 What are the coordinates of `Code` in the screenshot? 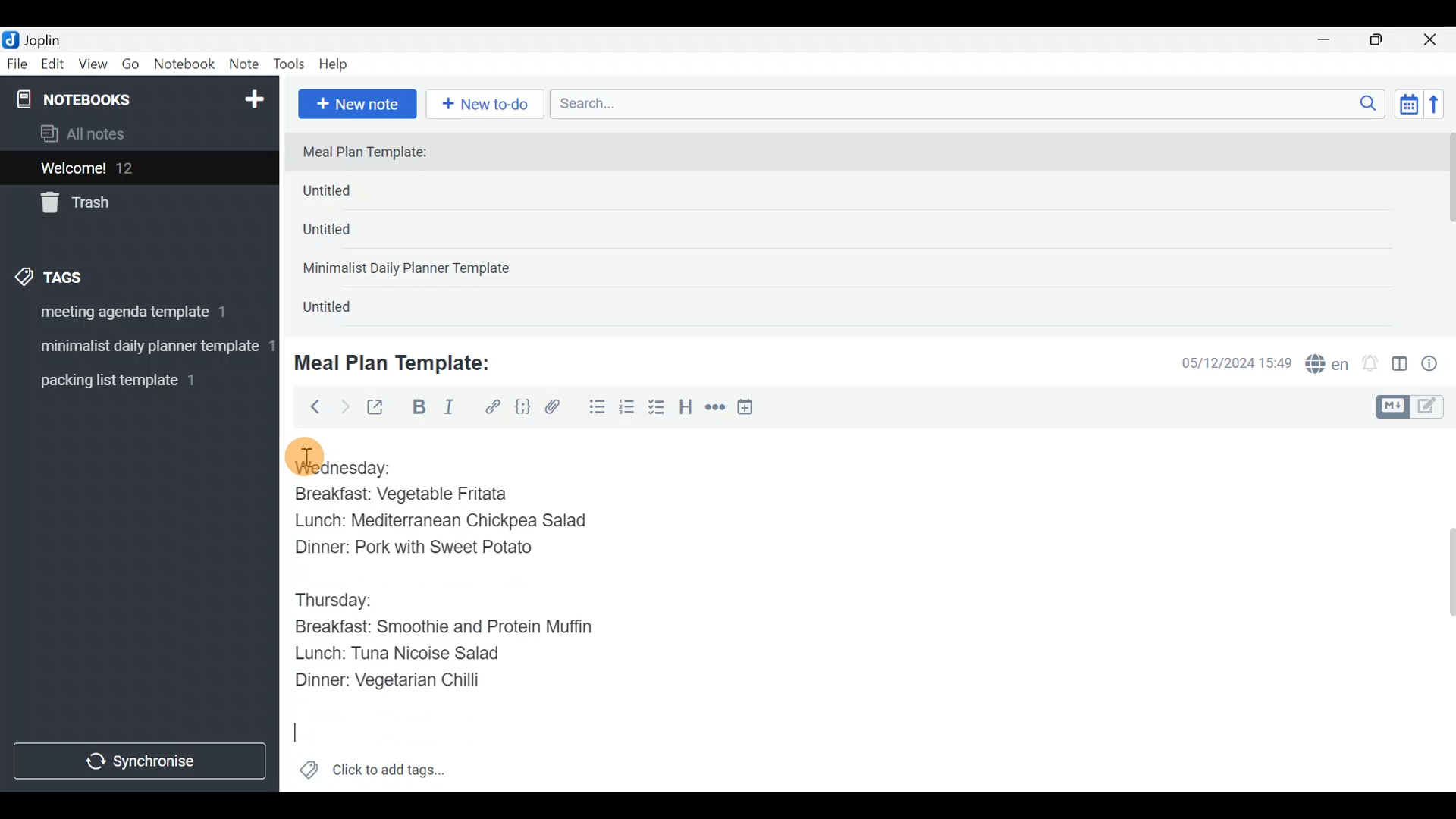 It's located at (521, 406).